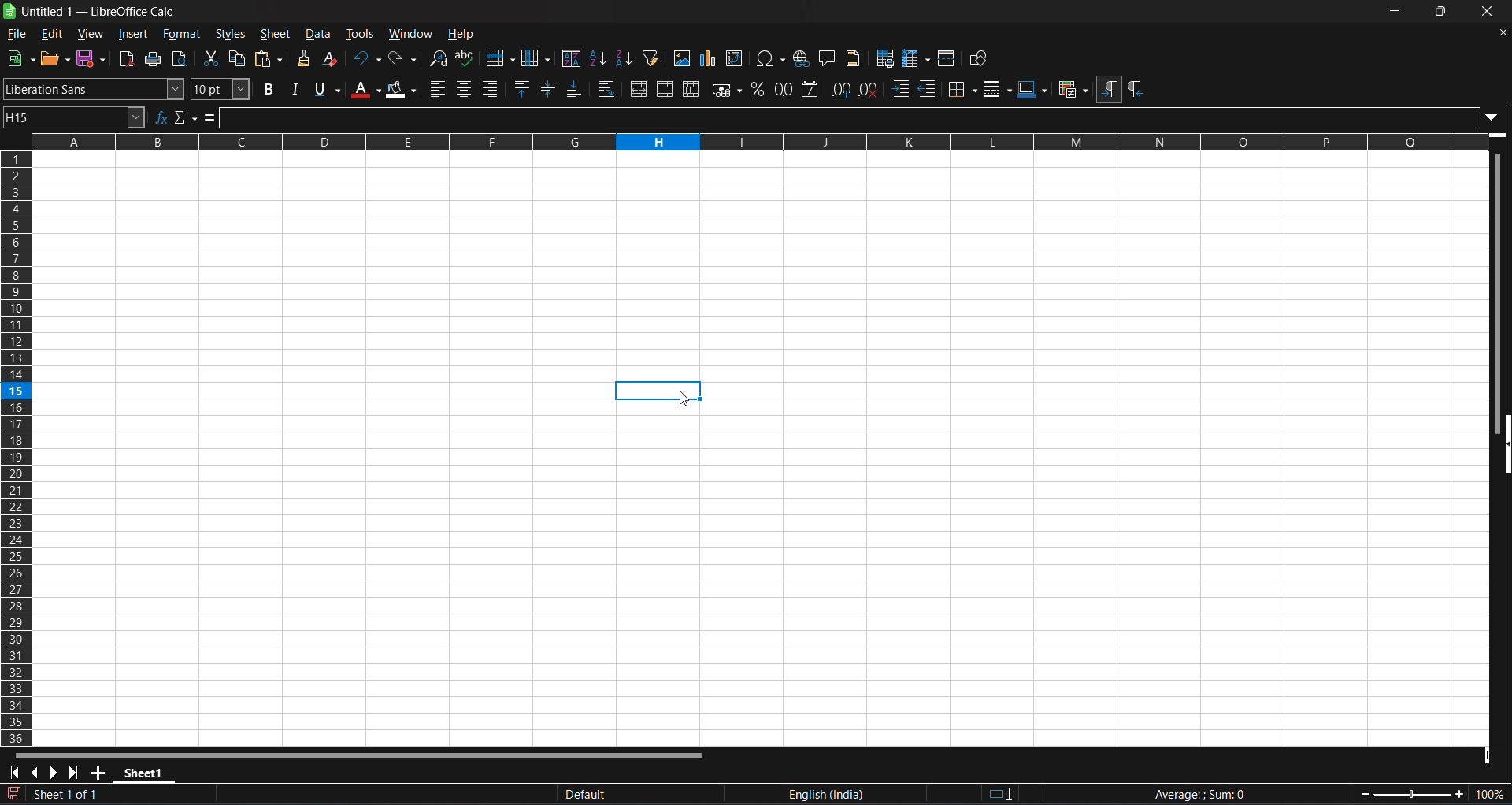 The height and width of the screenshot is (805, 1512). Describe the element at coordinates (829, 793) in the screenshot. I see `text language` at that location.